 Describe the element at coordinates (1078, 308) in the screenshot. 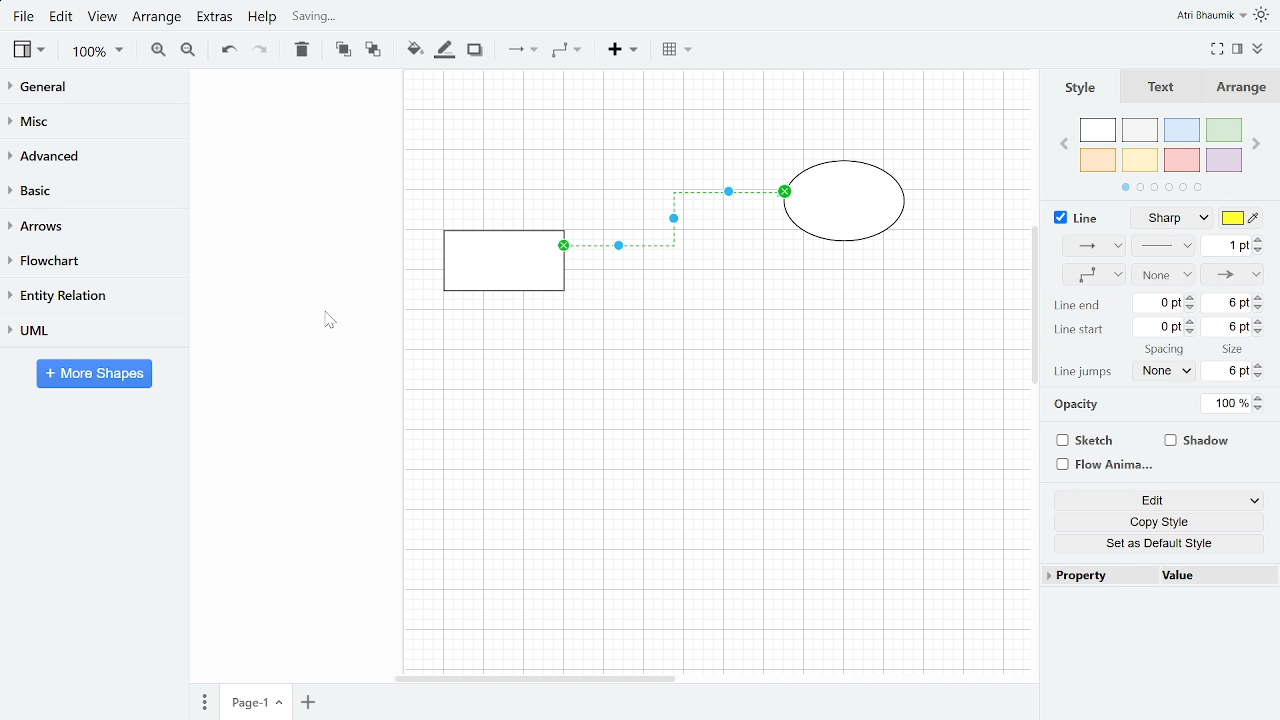

I see `line end` at that location.